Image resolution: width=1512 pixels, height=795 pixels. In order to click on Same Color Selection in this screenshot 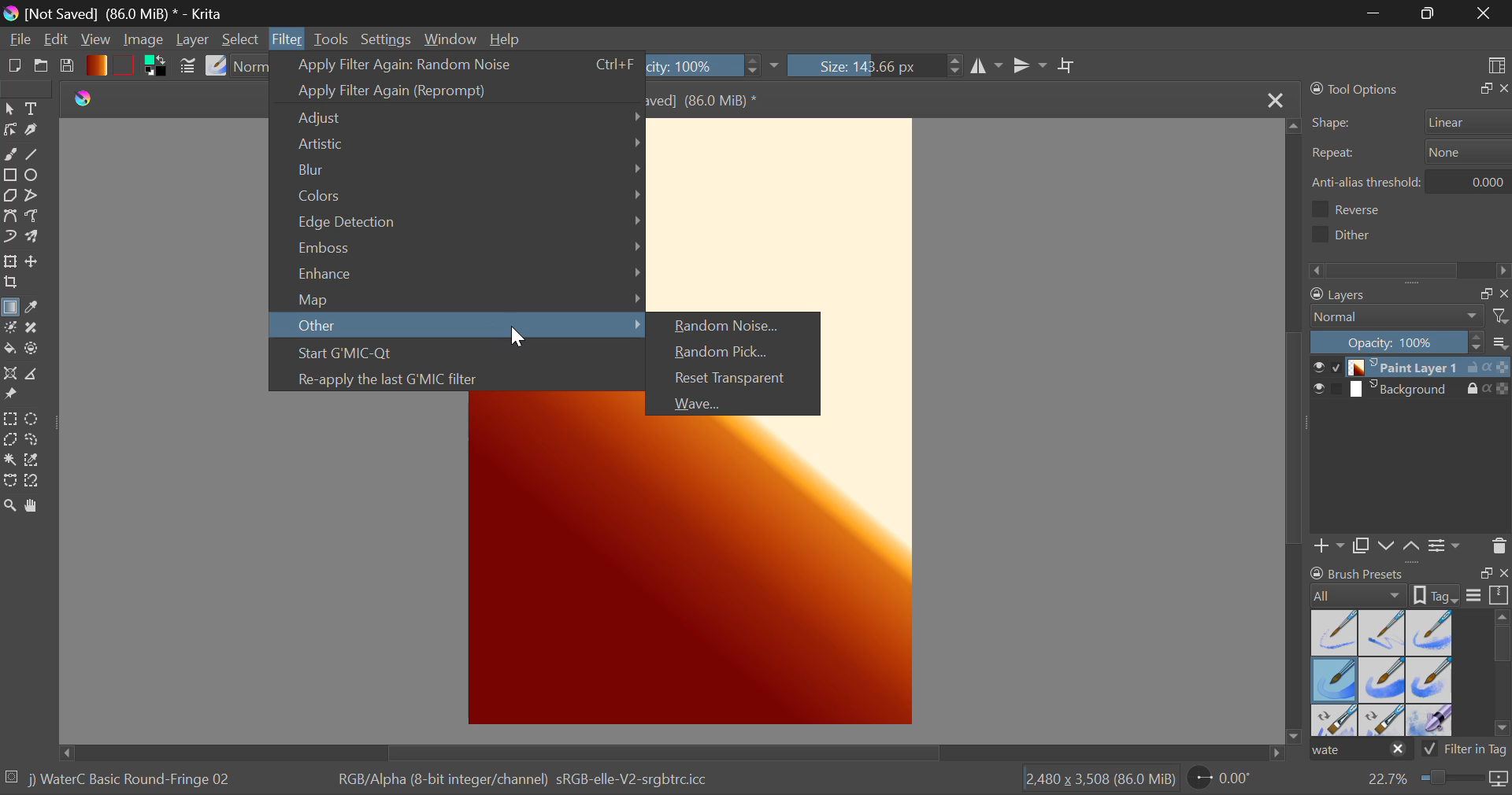, I will do `click(36, 462)`.